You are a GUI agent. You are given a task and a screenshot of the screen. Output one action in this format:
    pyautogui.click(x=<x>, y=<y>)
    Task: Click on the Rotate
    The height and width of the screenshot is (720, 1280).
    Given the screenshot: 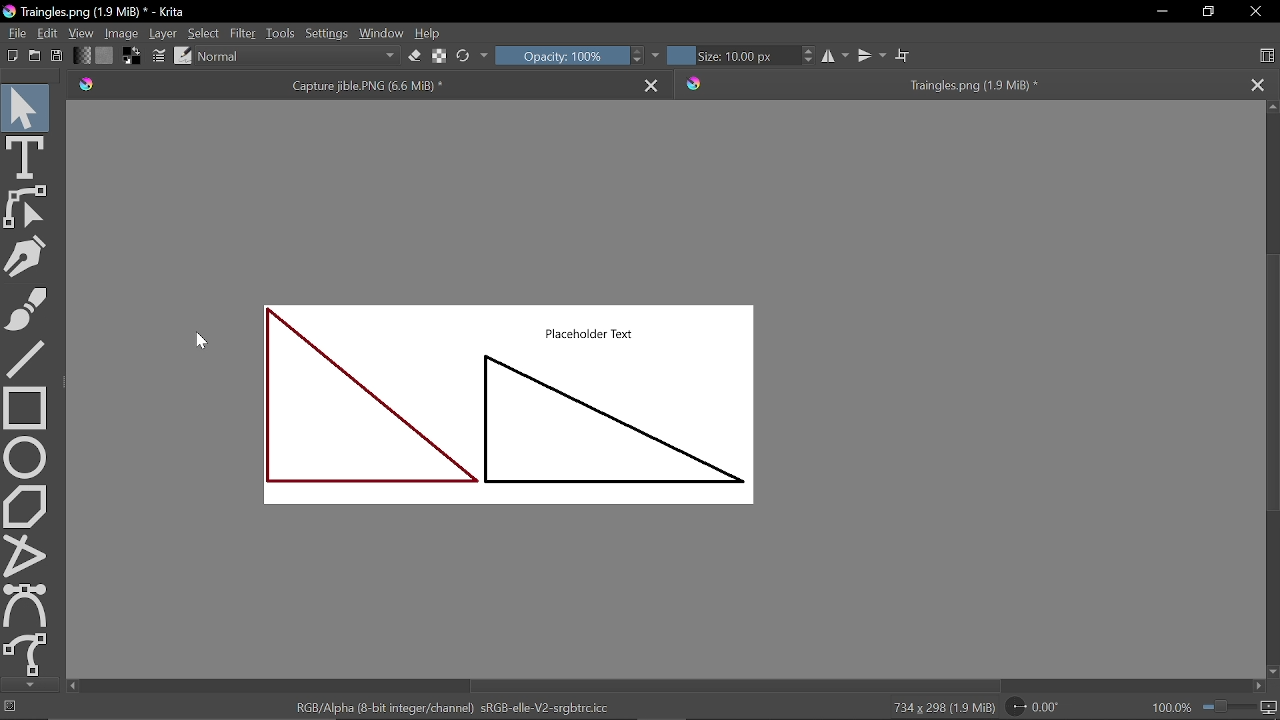 What is the action you would take?
    pyautogui.click(x=1033, y=708)
    